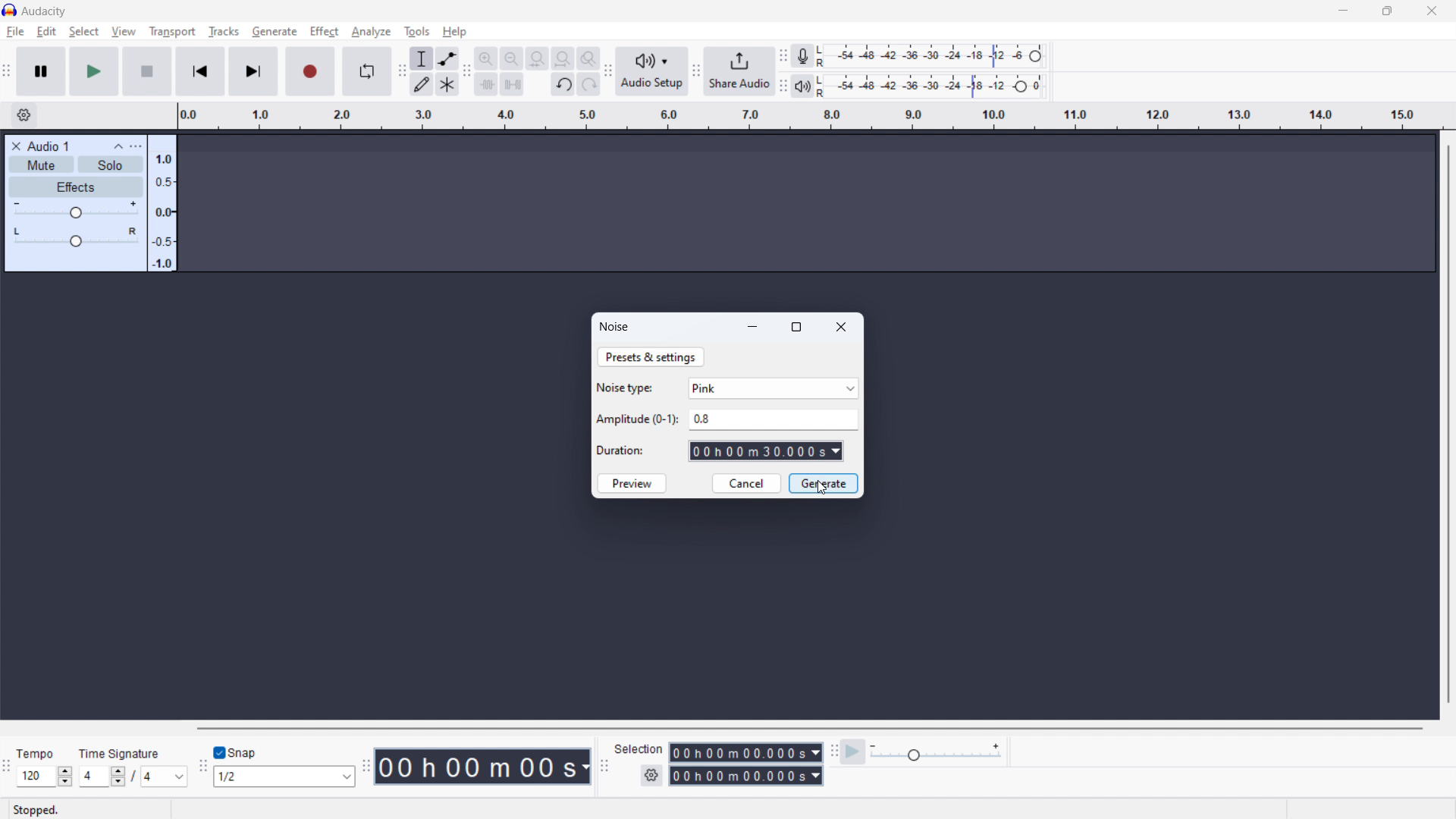 Image resolution: width=1456 pixels, height=819 pixels. What do you see at coordinates (324, 32) in the screenshot?
I see `effect` at bounding box center [324, 32].